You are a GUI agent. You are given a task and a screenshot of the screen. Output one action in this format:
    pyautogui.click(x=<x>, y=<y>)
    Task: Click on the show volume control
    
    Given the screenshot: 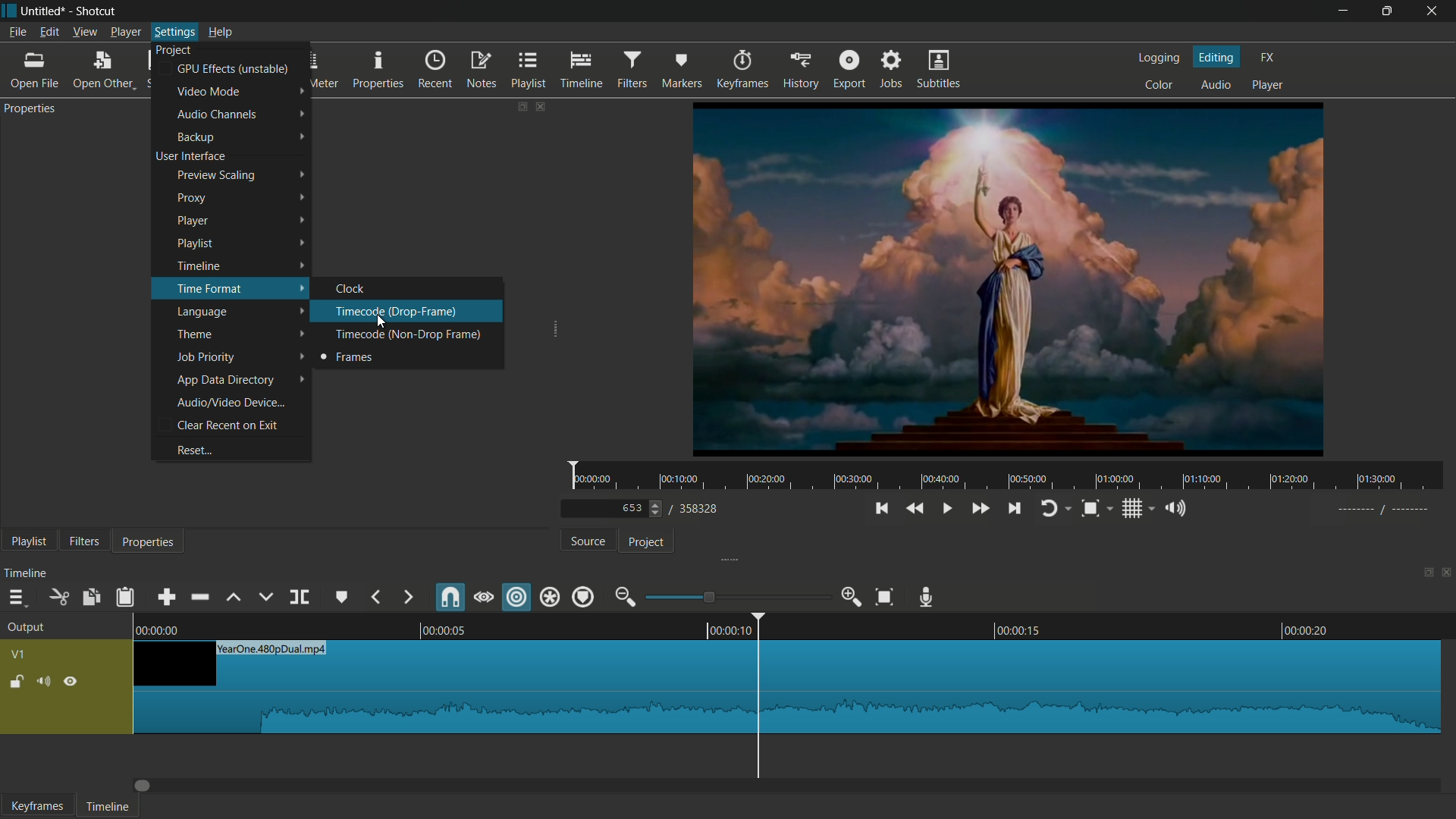 What is the action you would take?
    pyautogui.click(x=1175, y=508)
    